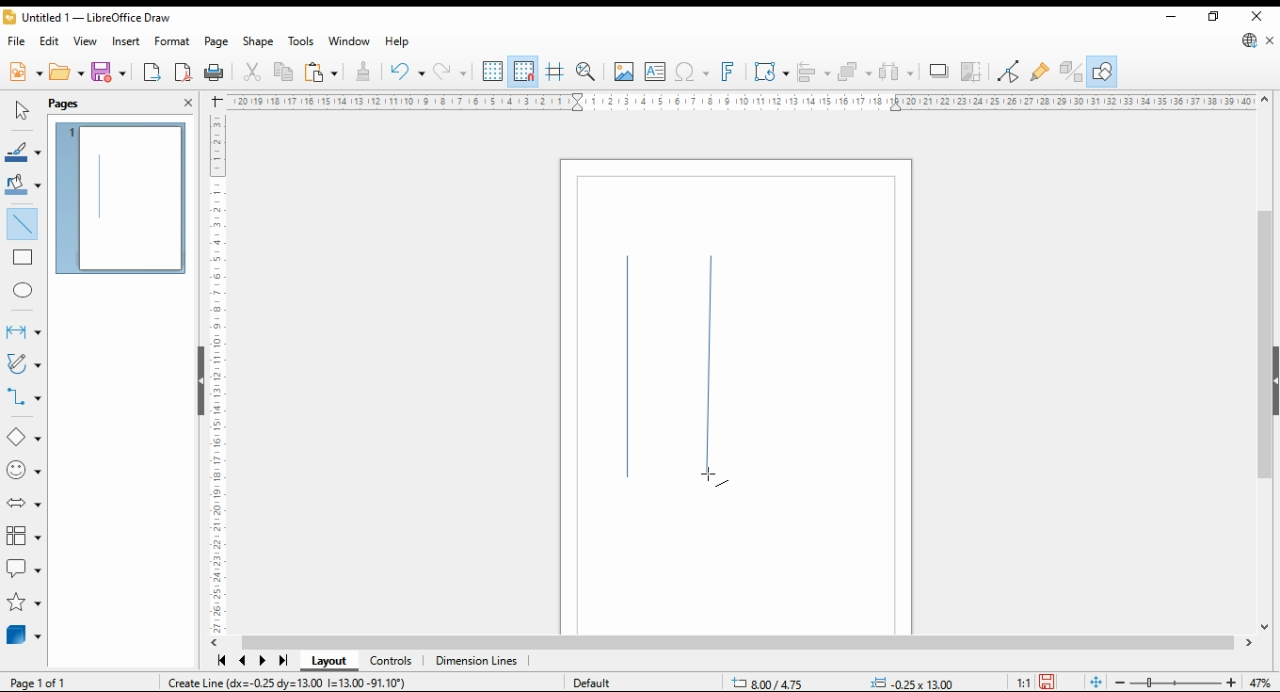 Image resolution: width=1280 pixels, height=692 pixels. I want to click on edit, so click(50, 40).